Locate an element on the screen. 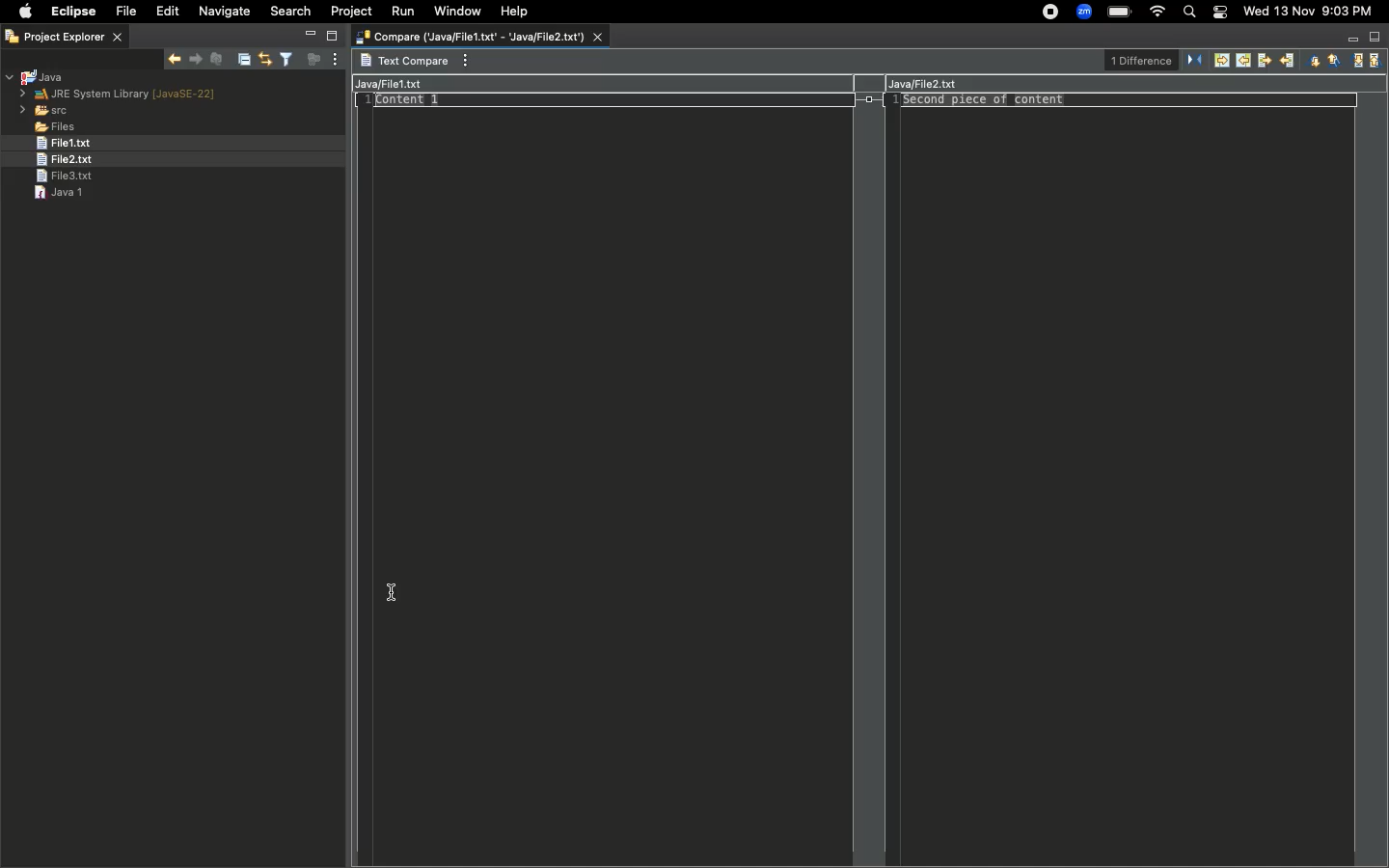 Image resolution: width=1389 pixels, height=868 pixels. Previous difference  is located at coordinates (1333, 62).